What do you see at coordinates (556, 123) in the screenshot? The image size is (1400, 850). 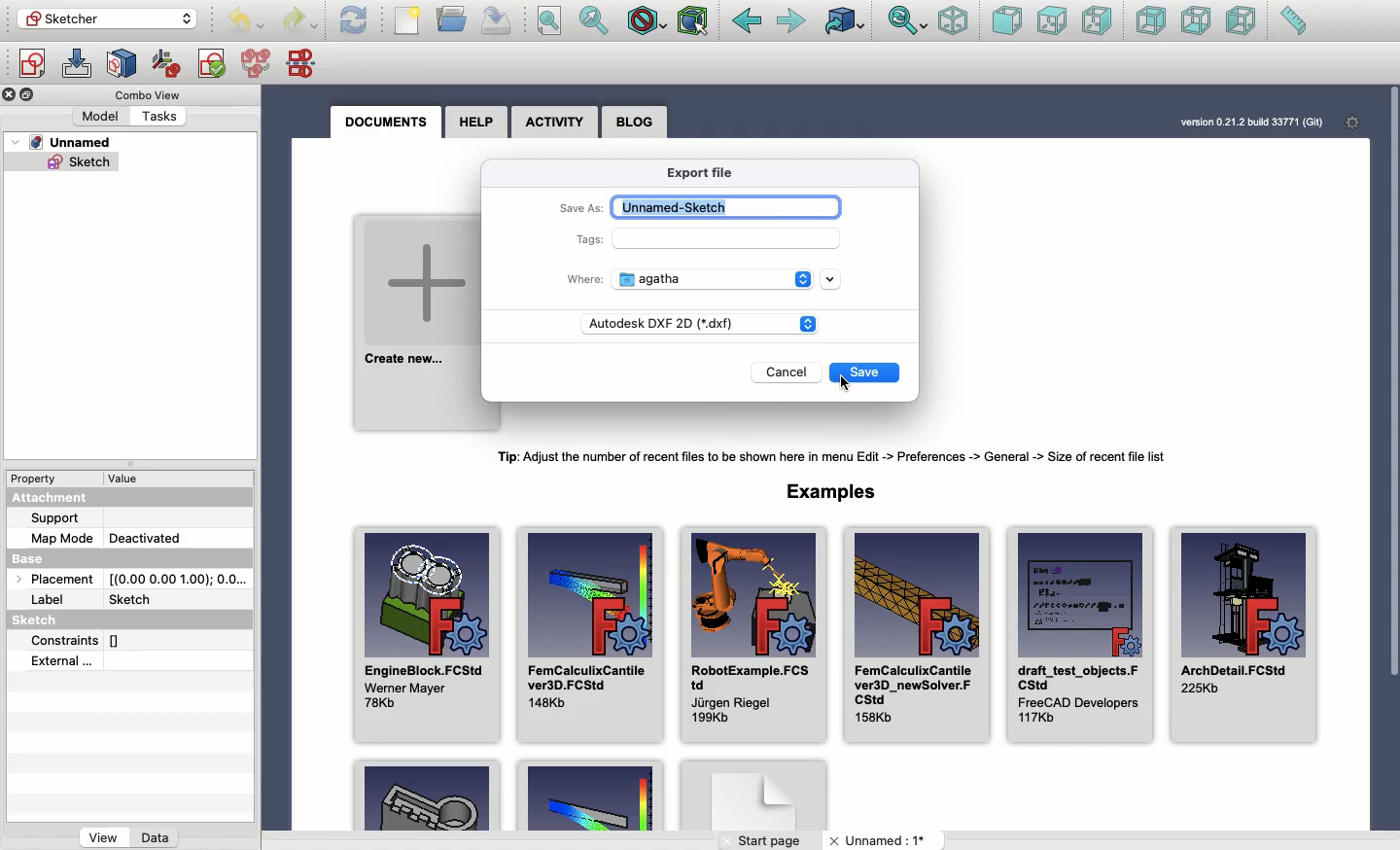 I see `Activity ` at bounding box center [556, 123].